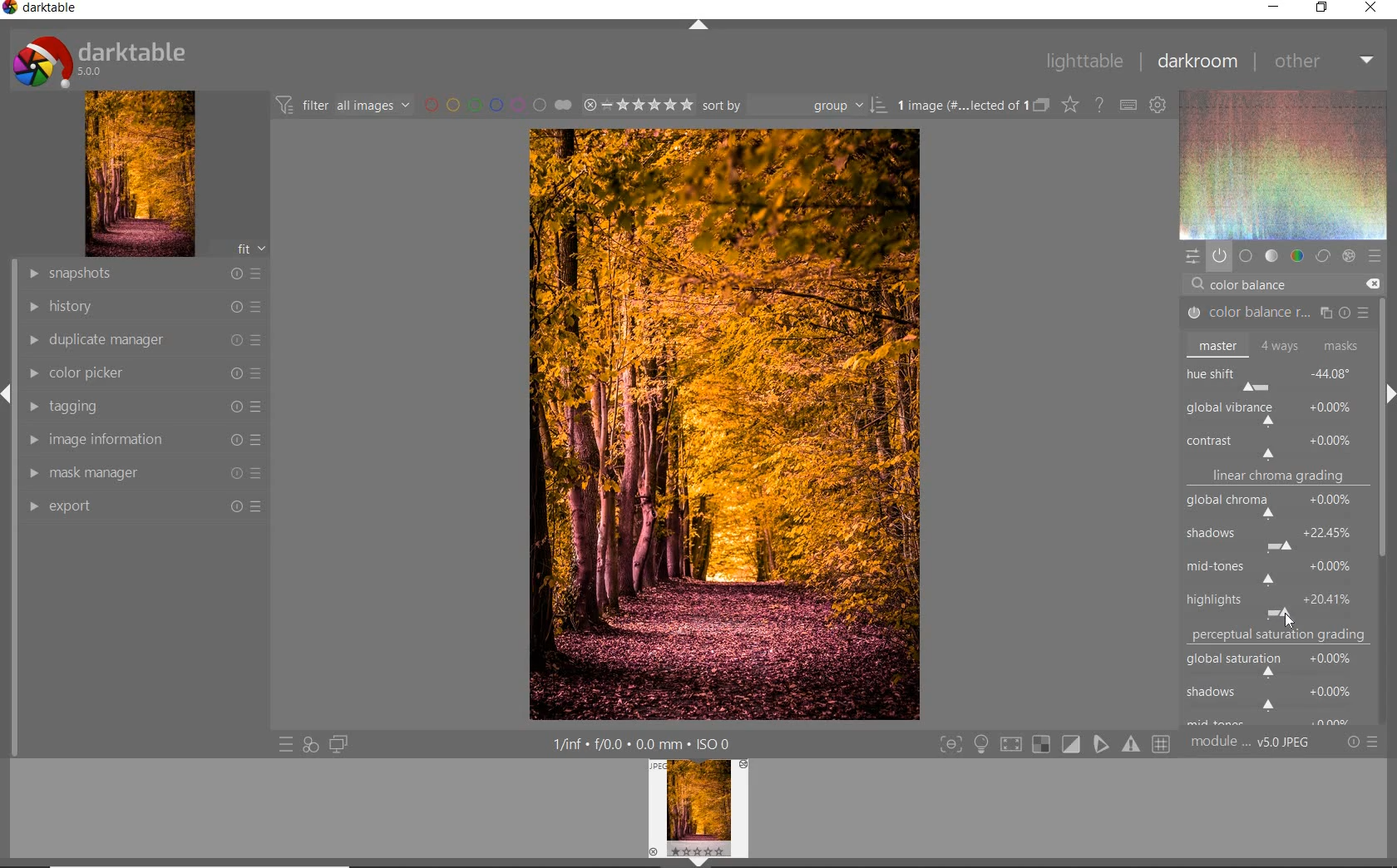 This screenshot has width=1397, height=868. I want to click on preset, so click(1374, 255).